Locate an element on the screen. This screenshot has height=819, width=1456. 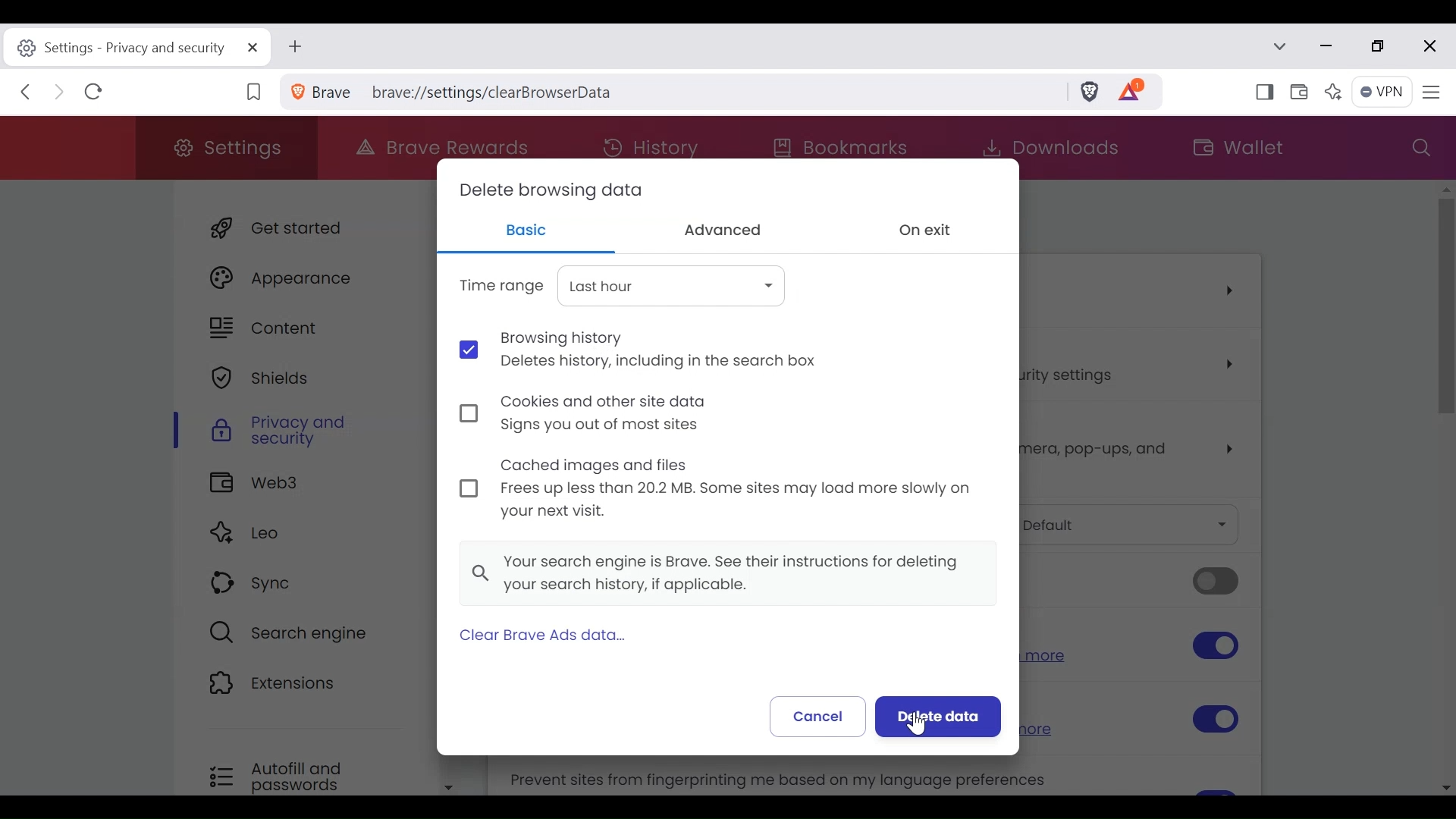
Click to Go Forward is located at coordinates (60, 95).